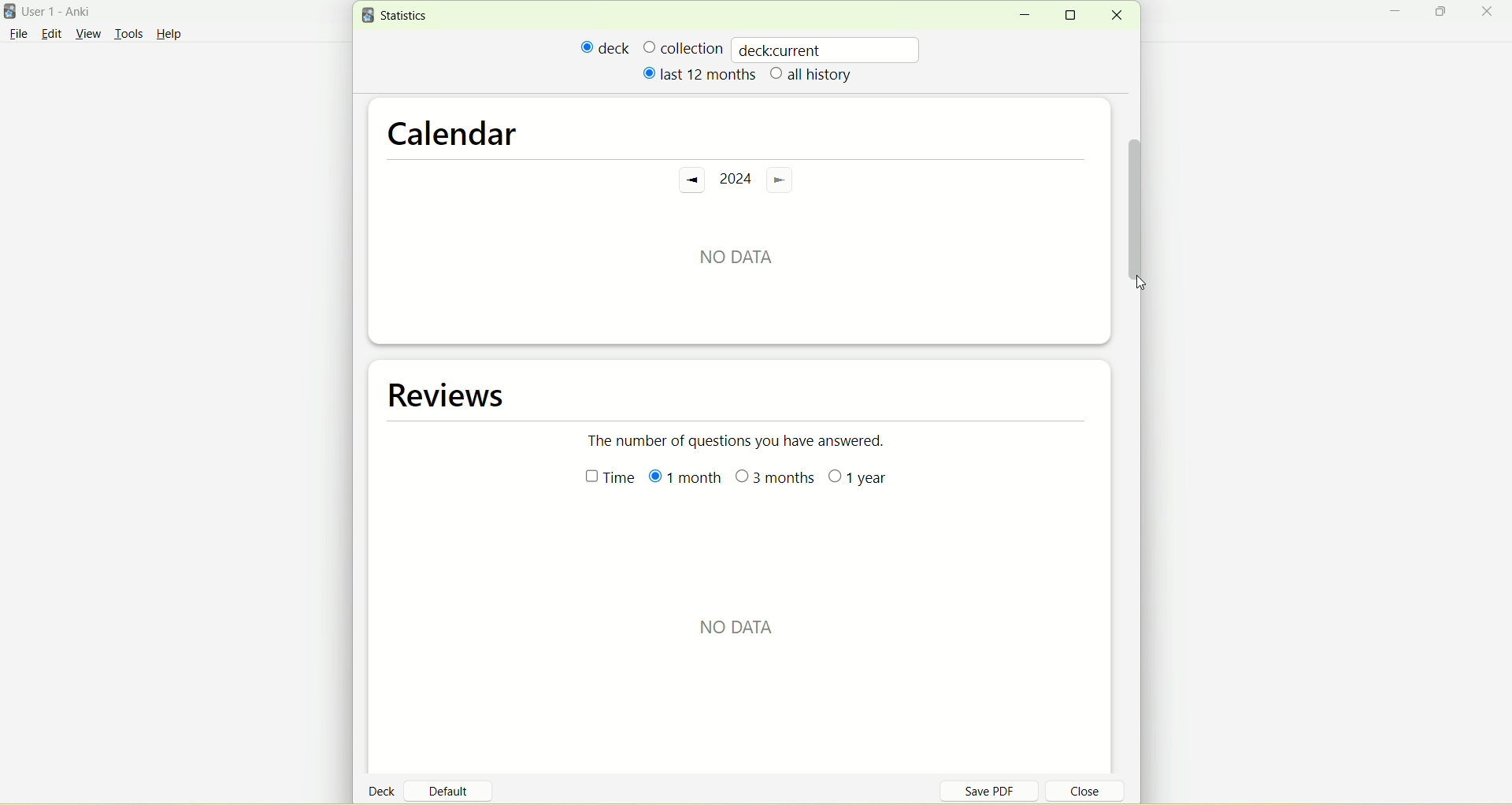  What do you see at coordinates (1138, 284) in the screenshot?
I see `cursor` at bounding box center [1138, 284].